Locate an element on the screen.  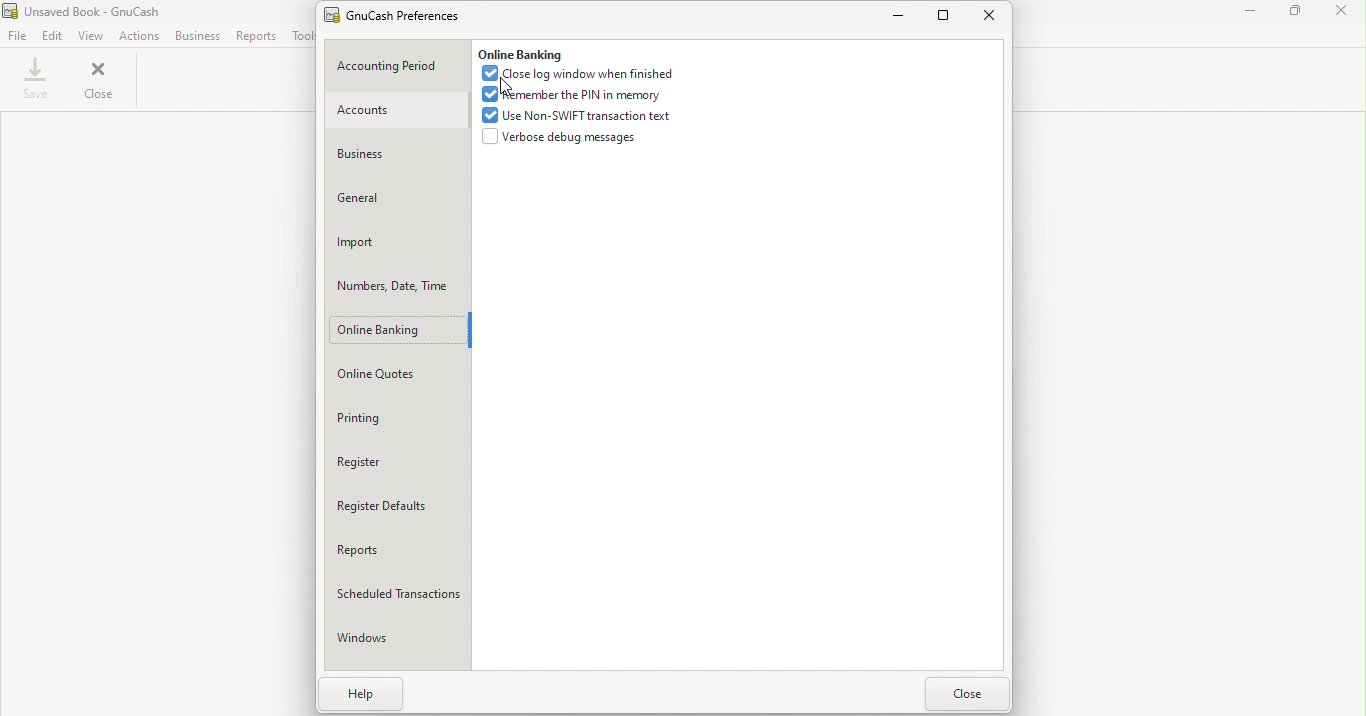
Numbers, date, time is located at coordinates (398, 286).